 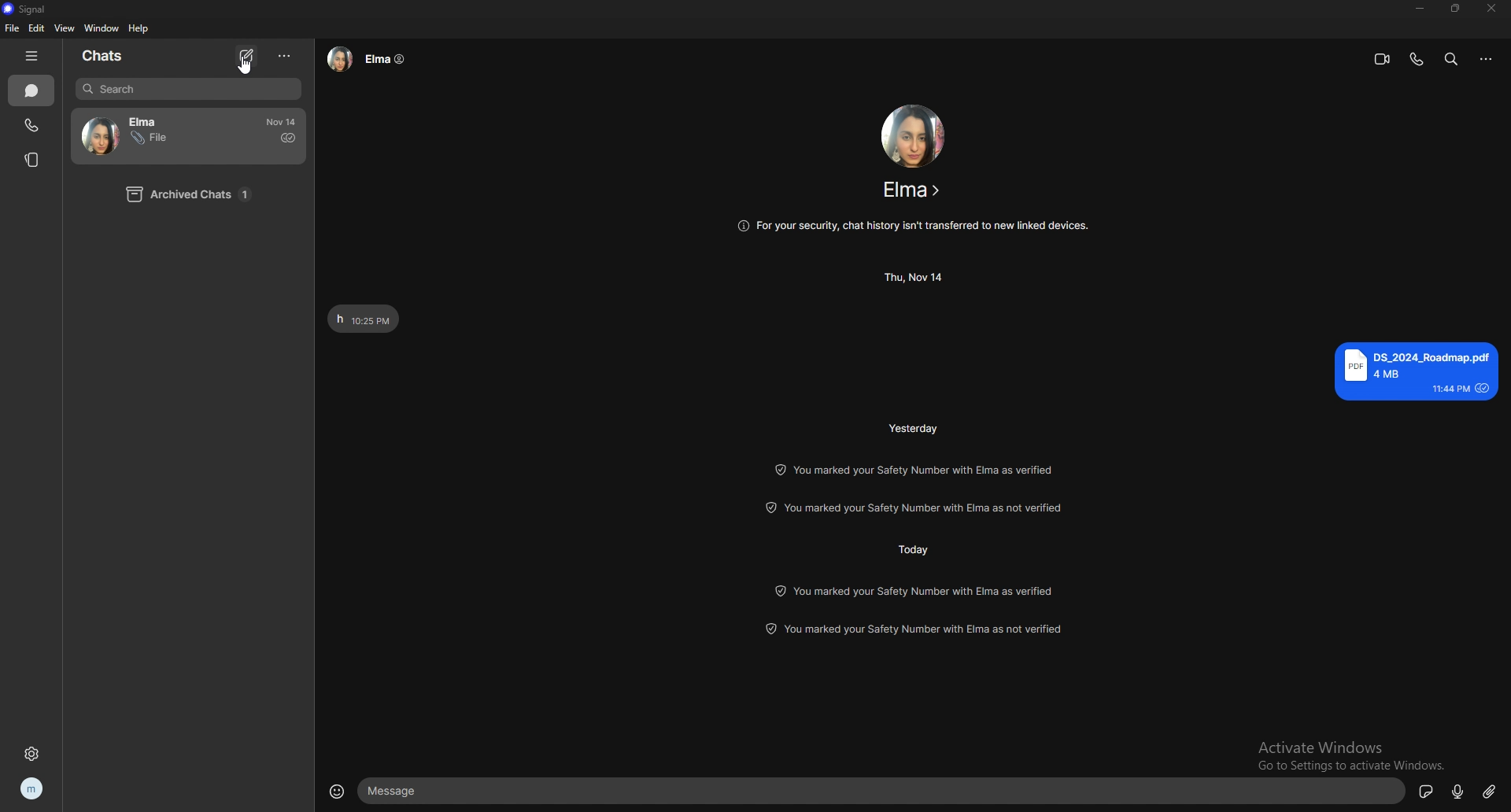 I want to click on text, so click(x=364, y=319).